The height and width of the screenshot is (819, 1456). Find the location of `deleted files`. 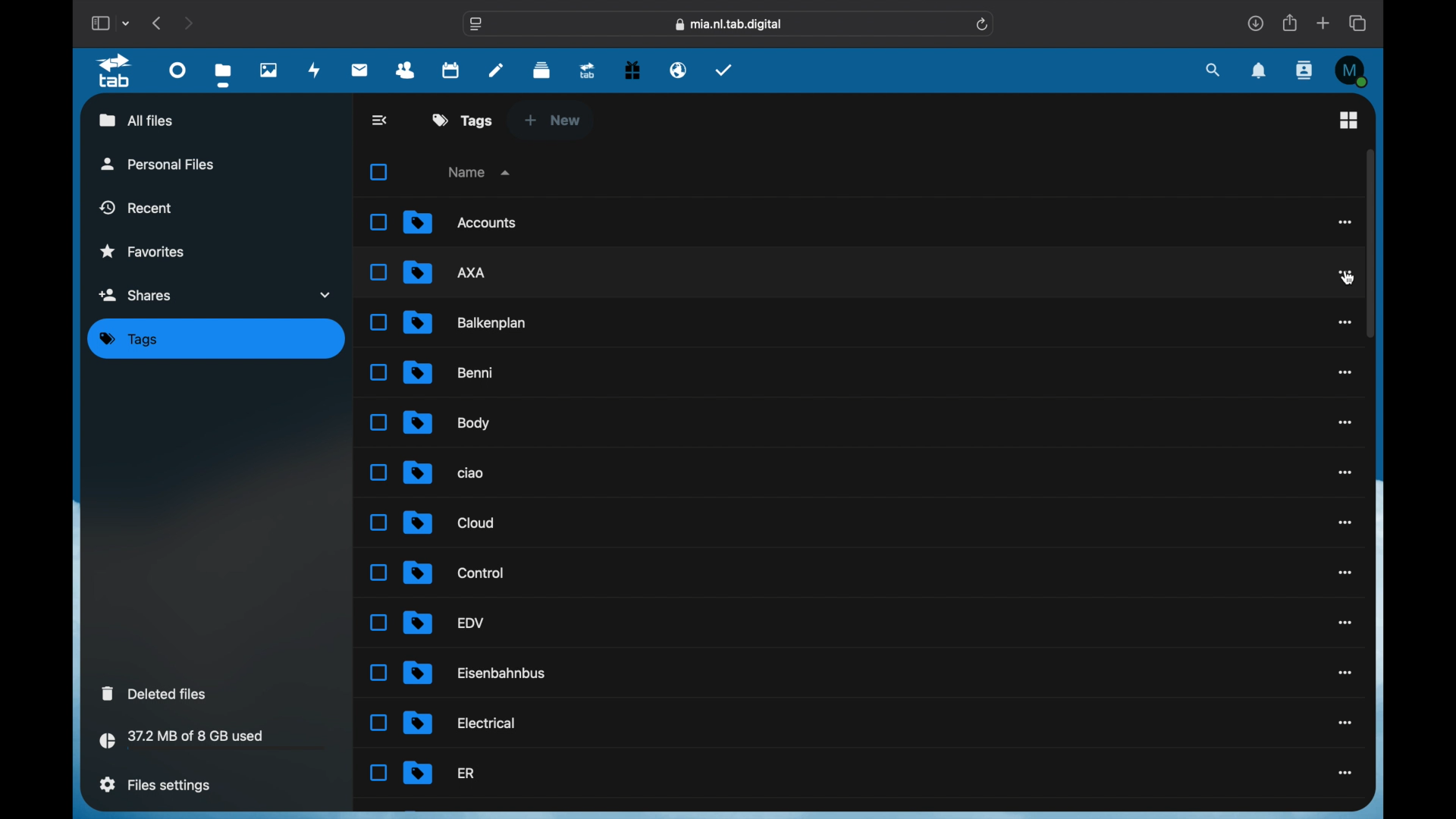

deleted files is located at coordinates (154, 693).